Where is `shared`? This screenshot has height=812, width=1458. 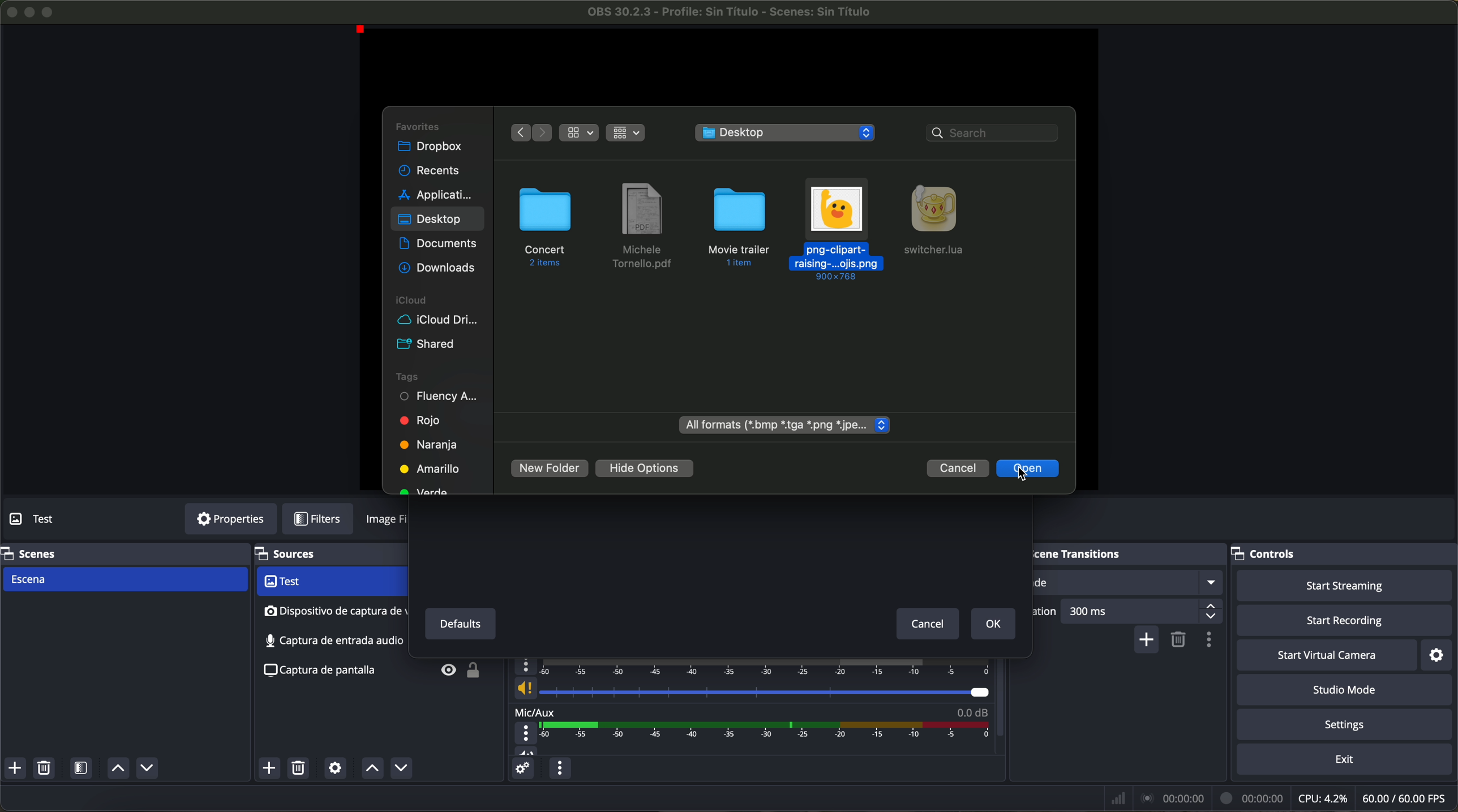 shared is located at coordinates (424, 344).